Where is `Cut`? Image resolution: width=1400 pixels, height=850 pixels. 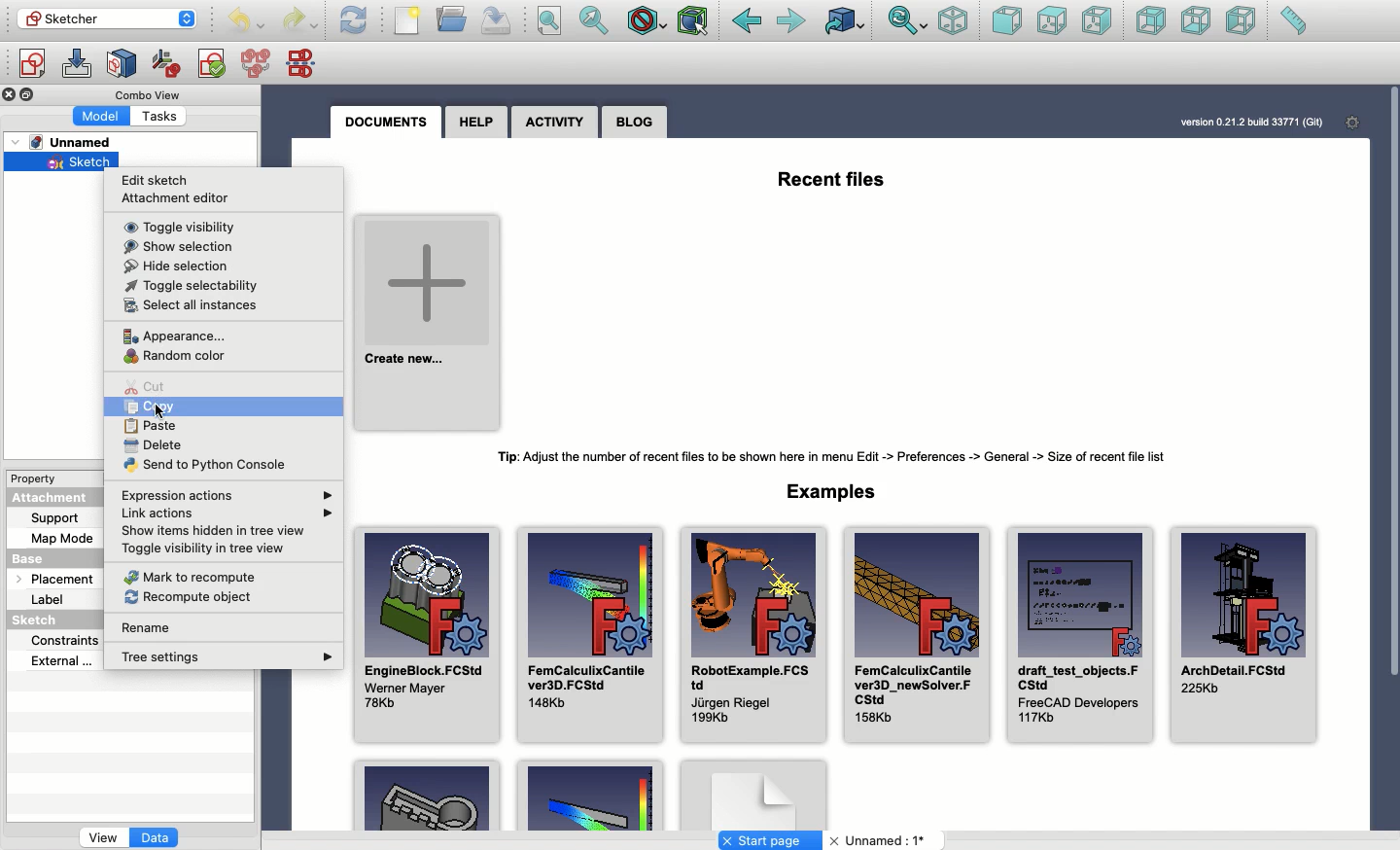 Cut is located at coordinates (148, 385).